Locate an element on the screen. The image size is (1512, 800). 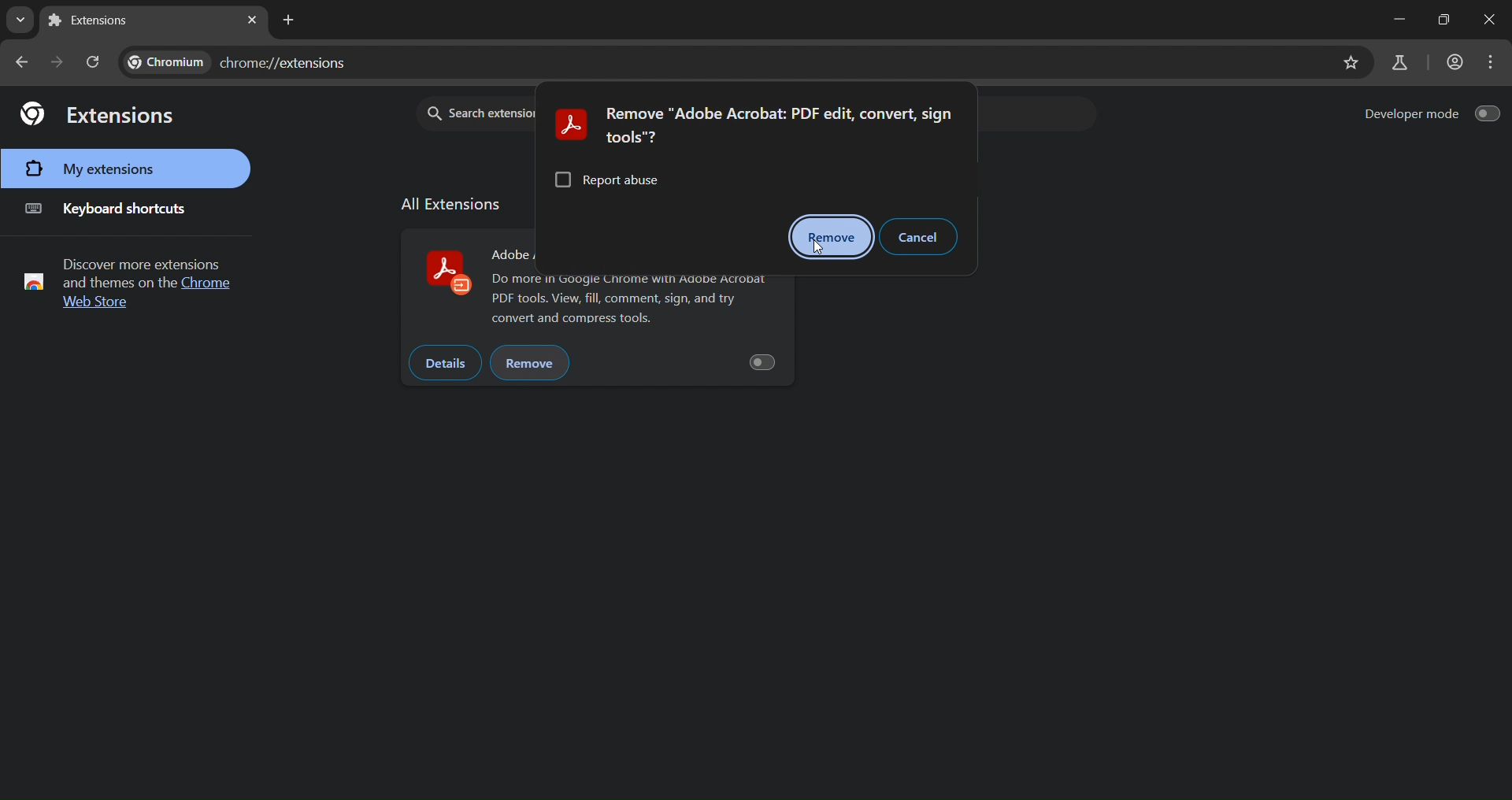
adobe acrobat logo is located at coordinates (443, 274).